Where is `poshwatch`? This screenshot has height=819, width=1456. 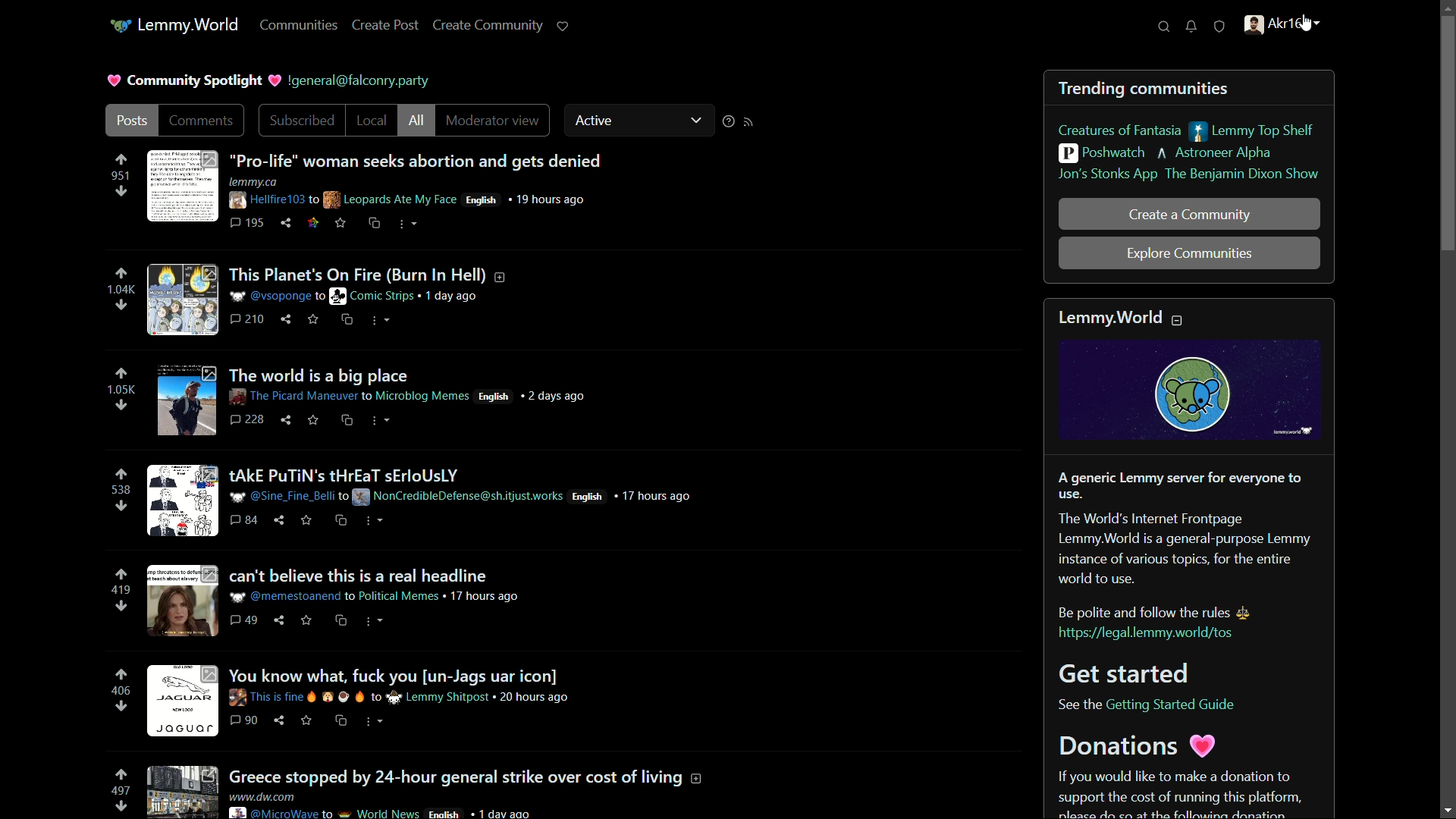
poshwatch is located at coordinates (1102, 153).